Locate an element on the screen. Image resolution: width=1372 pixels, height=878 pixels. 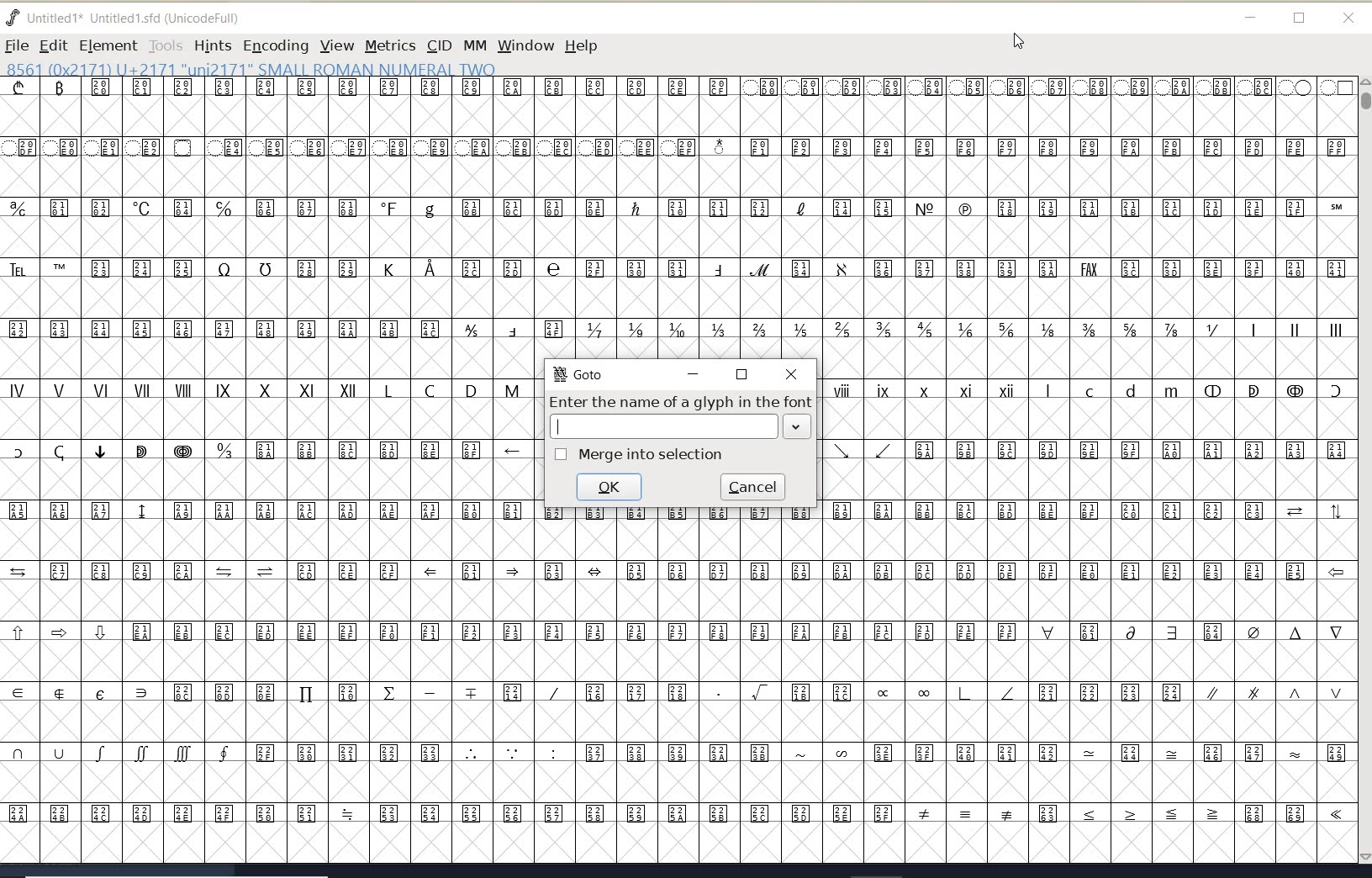
minimize is located at coordinates (1251, 18).